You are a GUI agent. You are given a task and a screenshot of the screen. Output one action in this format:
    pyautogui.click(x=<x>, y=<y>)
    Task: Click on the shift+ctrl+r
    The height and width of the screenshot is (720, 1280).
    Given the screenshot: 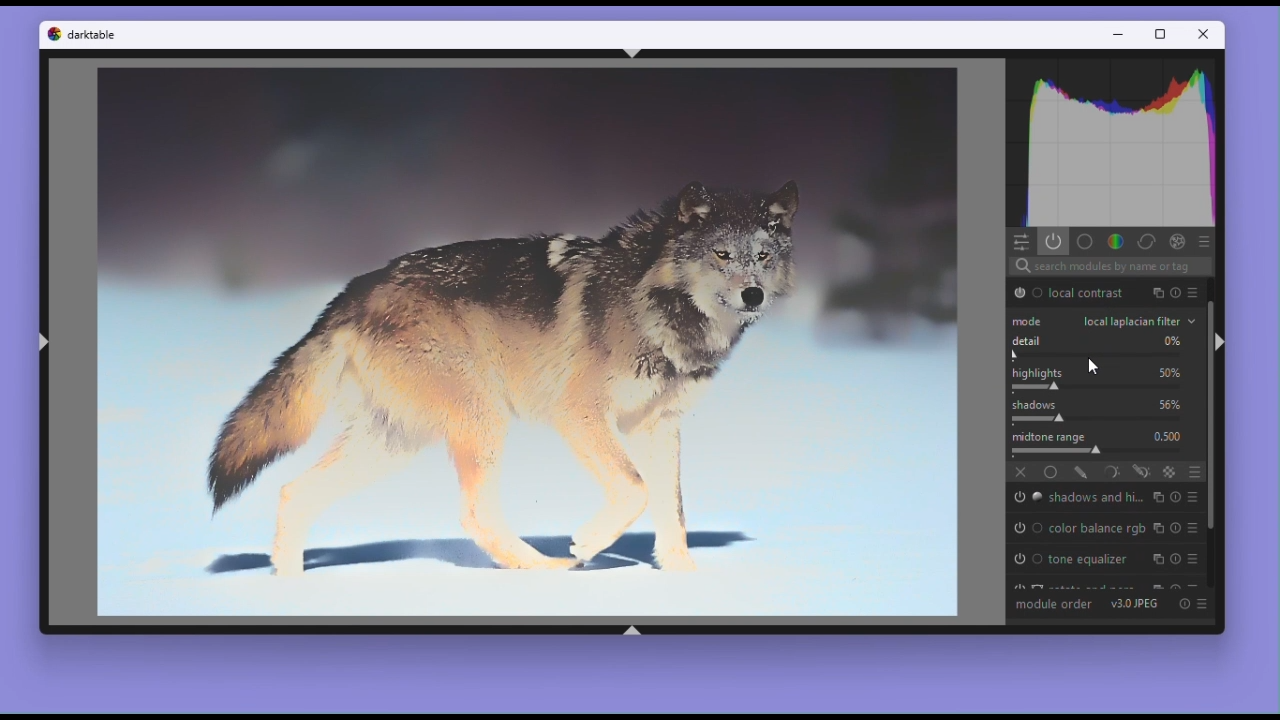 What is the action you would take?
    pyautogui.click(x=1219, y=342)
    